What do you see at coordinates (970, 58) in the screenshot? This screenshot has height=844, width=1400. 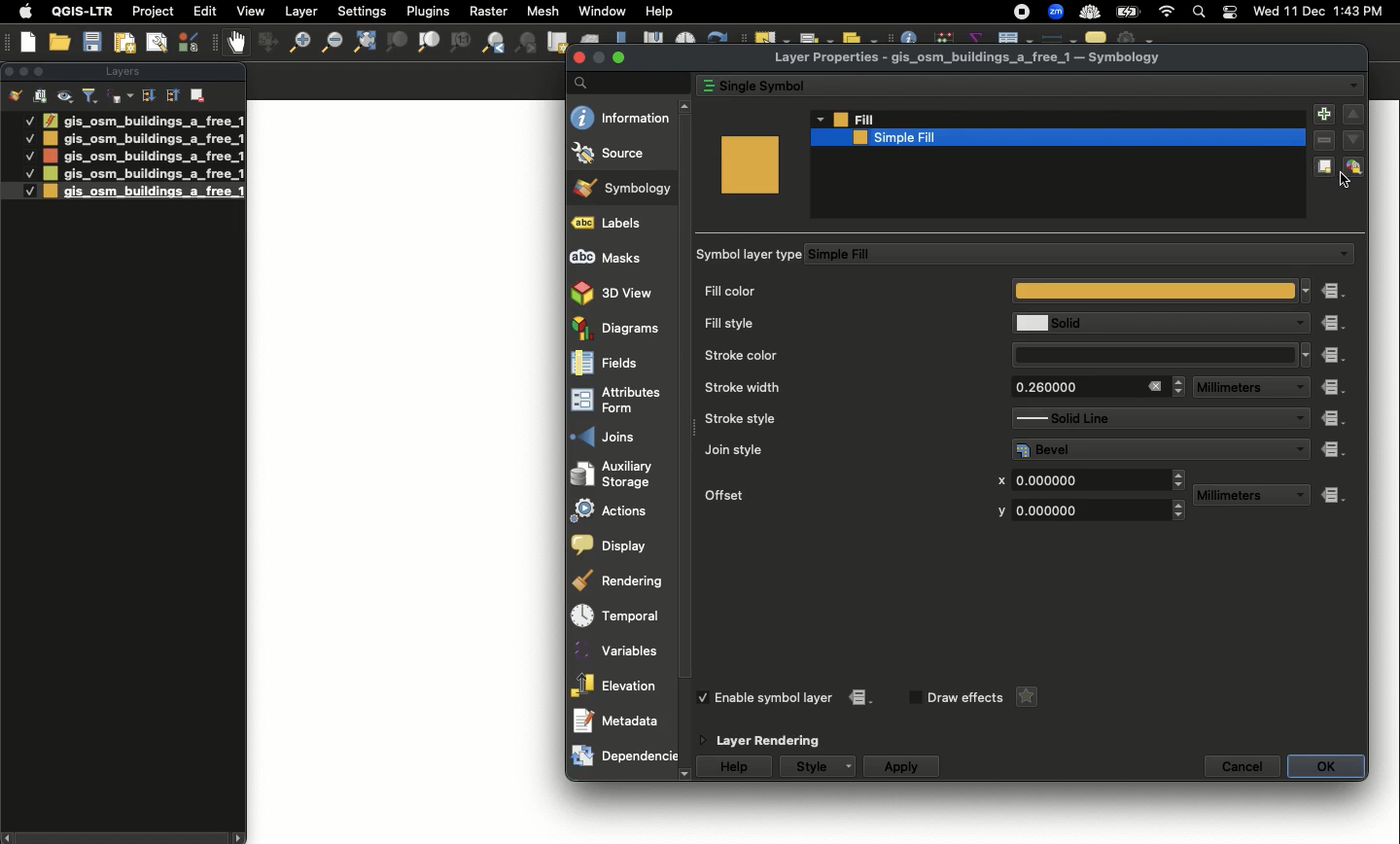 I see `Layer Properties - gis_osm_buildings_a_free_1 — Symbology` at bounding box center [970, 58].